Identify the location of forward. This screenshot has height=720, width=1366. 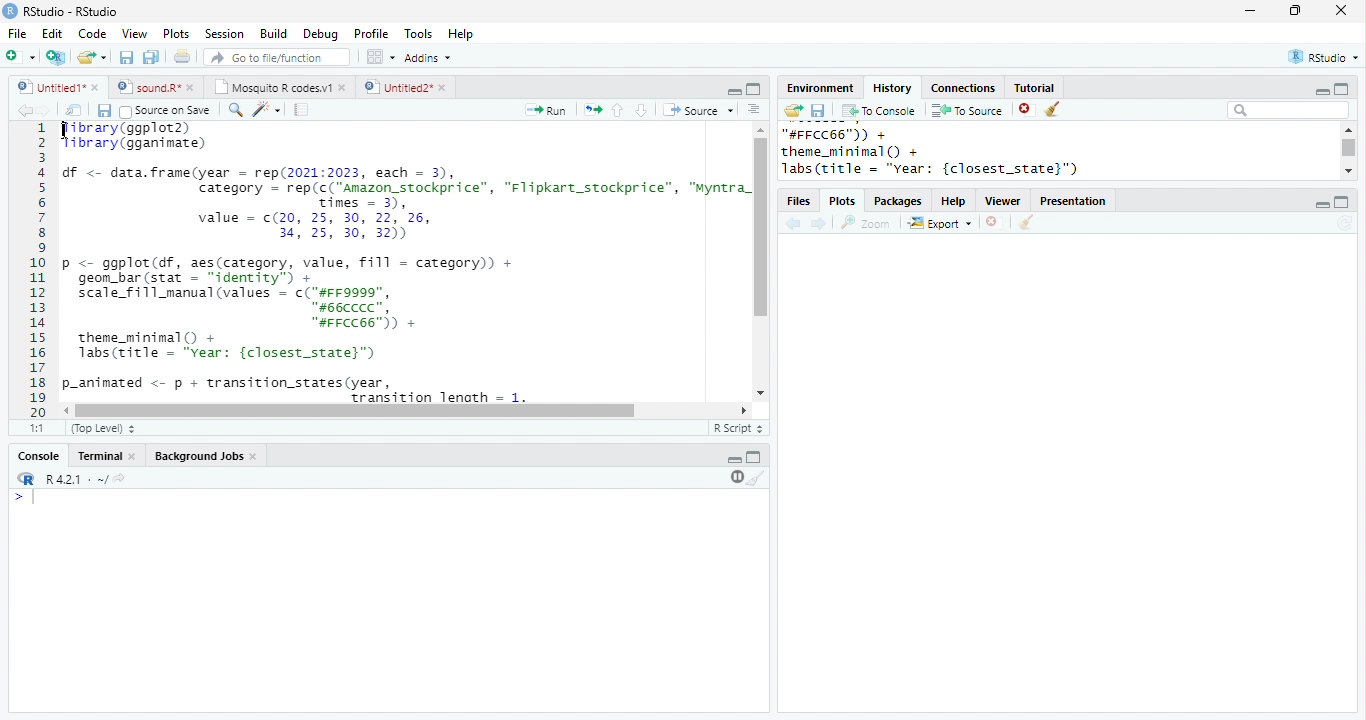
(819, 224).